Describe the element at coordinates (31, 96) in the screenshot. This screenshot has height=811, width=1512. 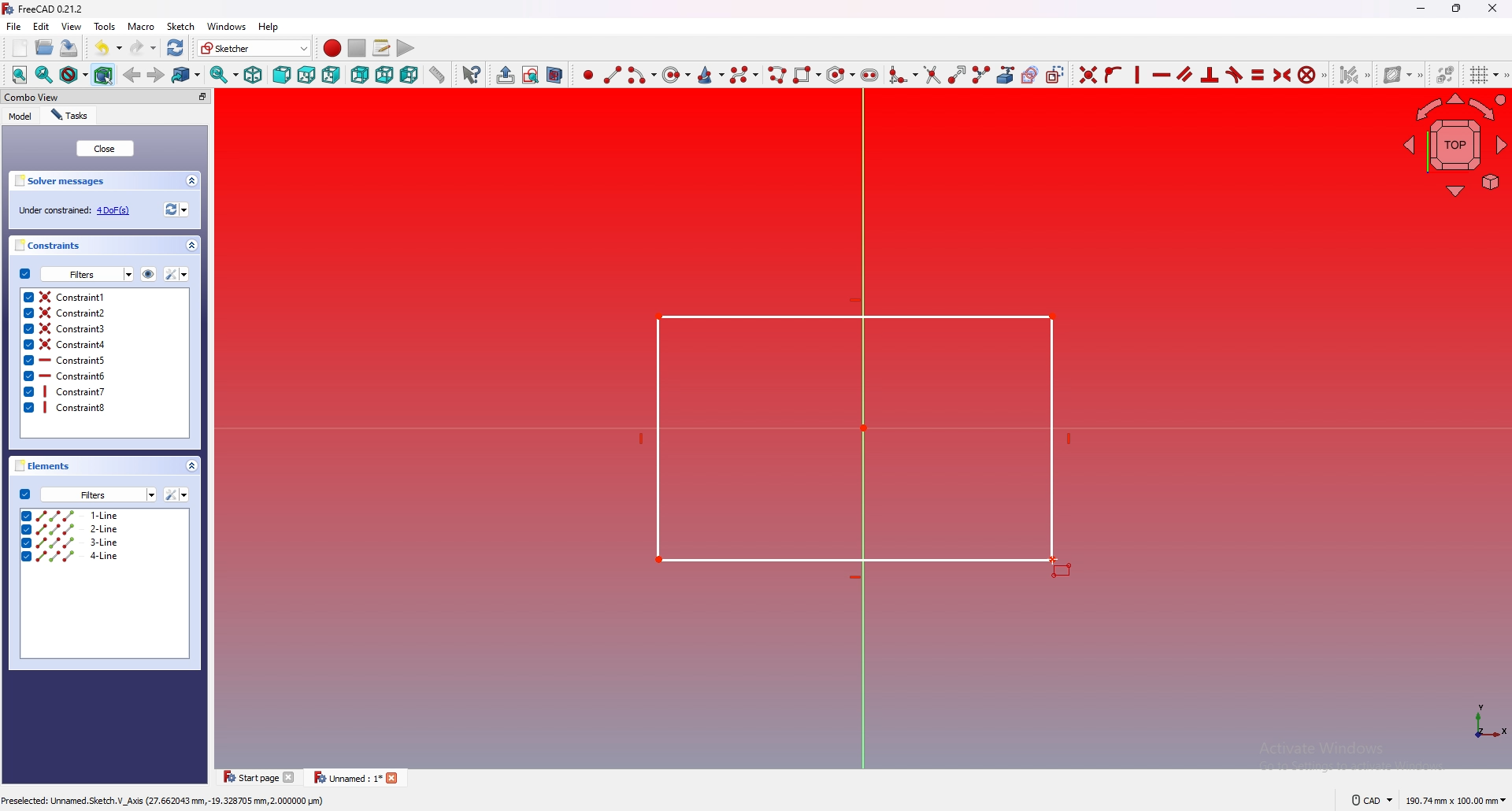
I see `combo view` at that location.